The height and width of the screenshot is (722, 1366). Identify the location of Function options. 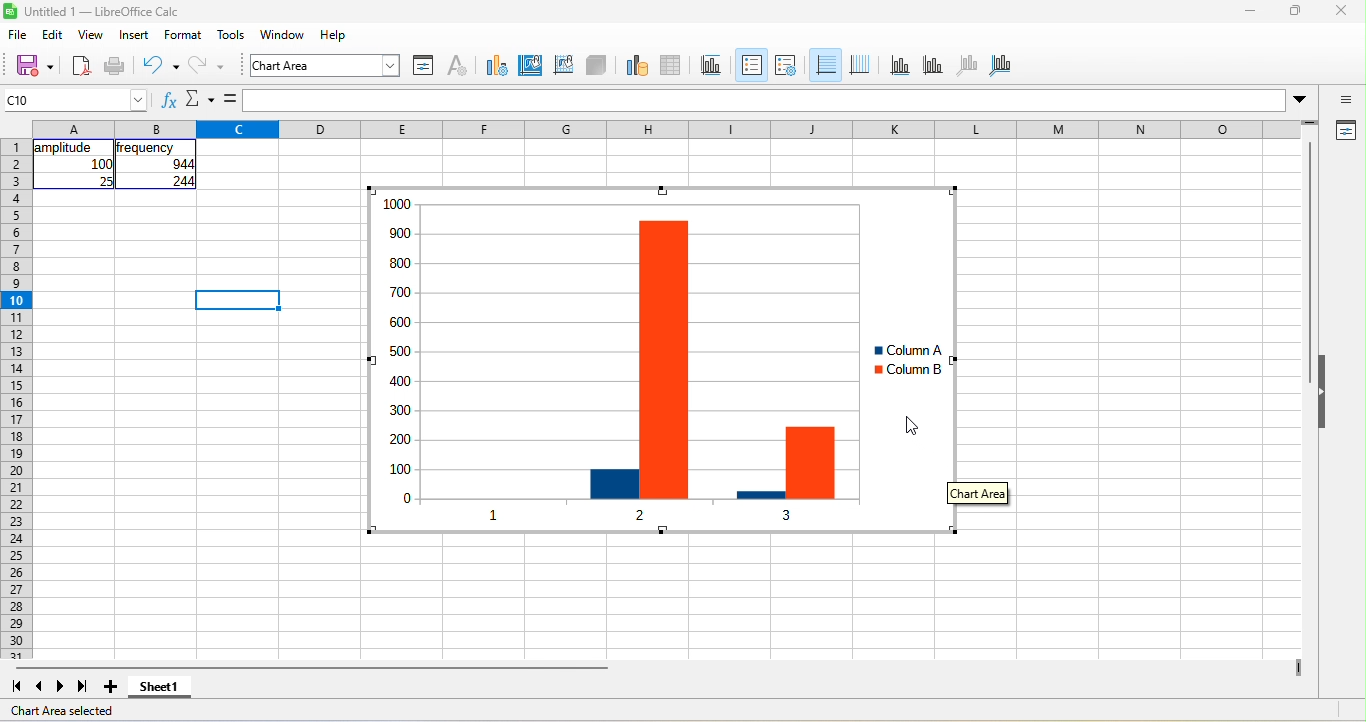
(200, 99).